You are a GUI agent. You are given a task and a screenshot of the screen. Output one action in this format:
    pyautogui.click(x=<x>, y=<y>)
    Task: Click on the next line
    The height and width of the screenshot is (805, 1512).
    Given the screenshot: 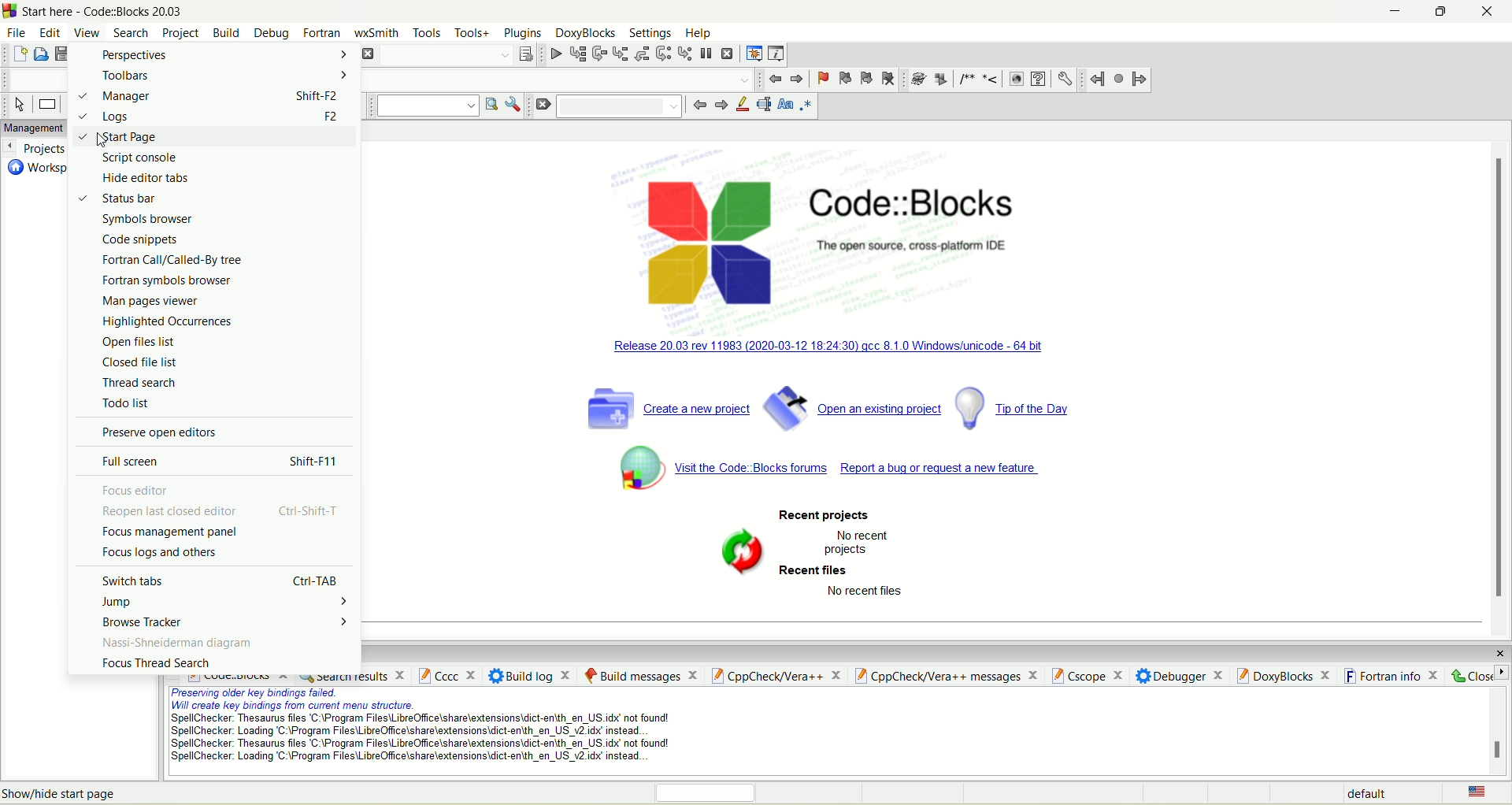 What is the action you would take?
    pyautogui.click(x=599, y=54)
    